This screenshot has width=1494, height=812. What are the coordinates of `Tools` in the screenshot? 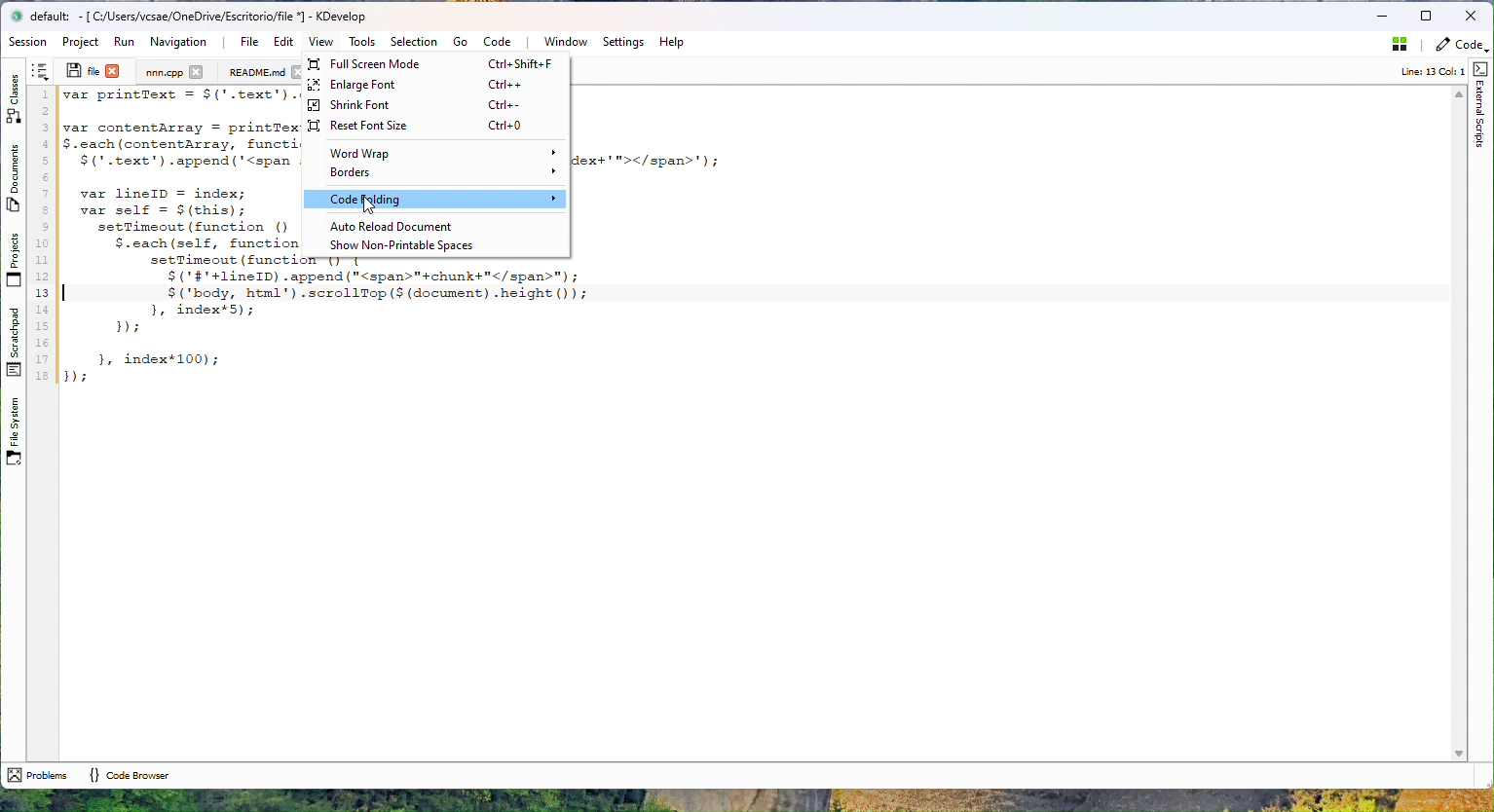 It's located at (361, 42).